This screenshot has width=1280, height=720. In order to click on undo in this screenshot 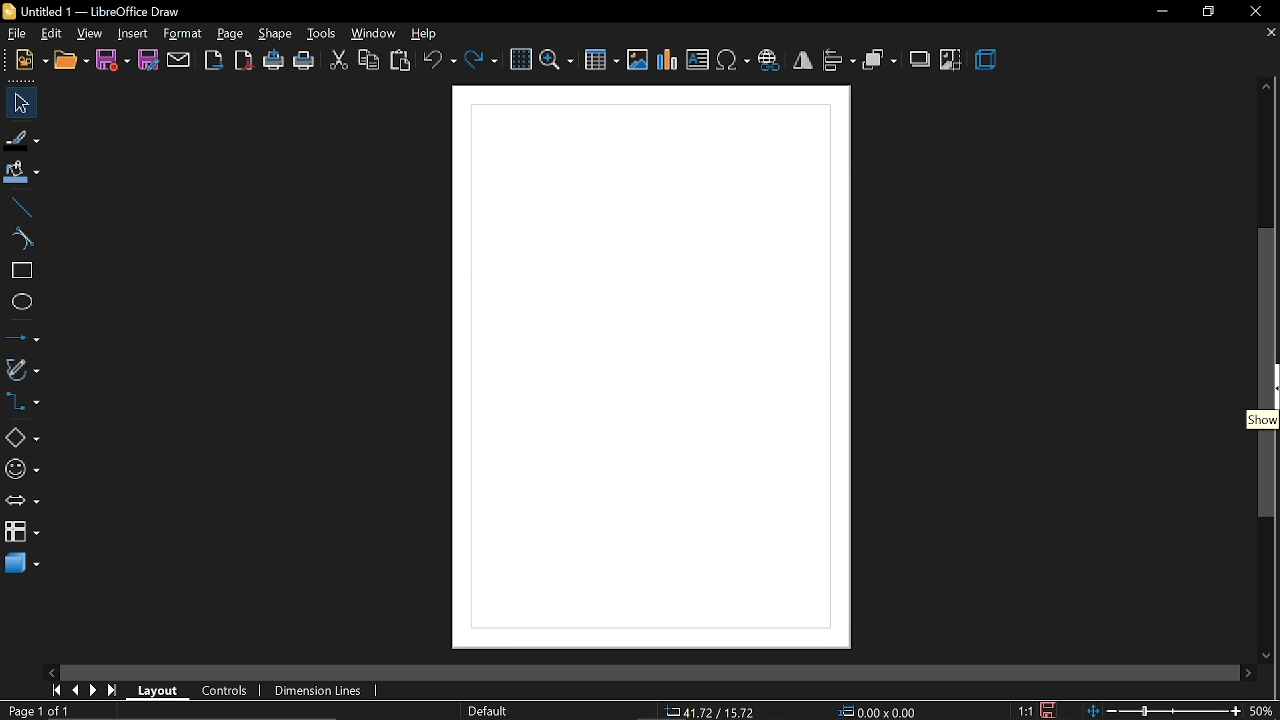, I will do `click(438, 61)`.